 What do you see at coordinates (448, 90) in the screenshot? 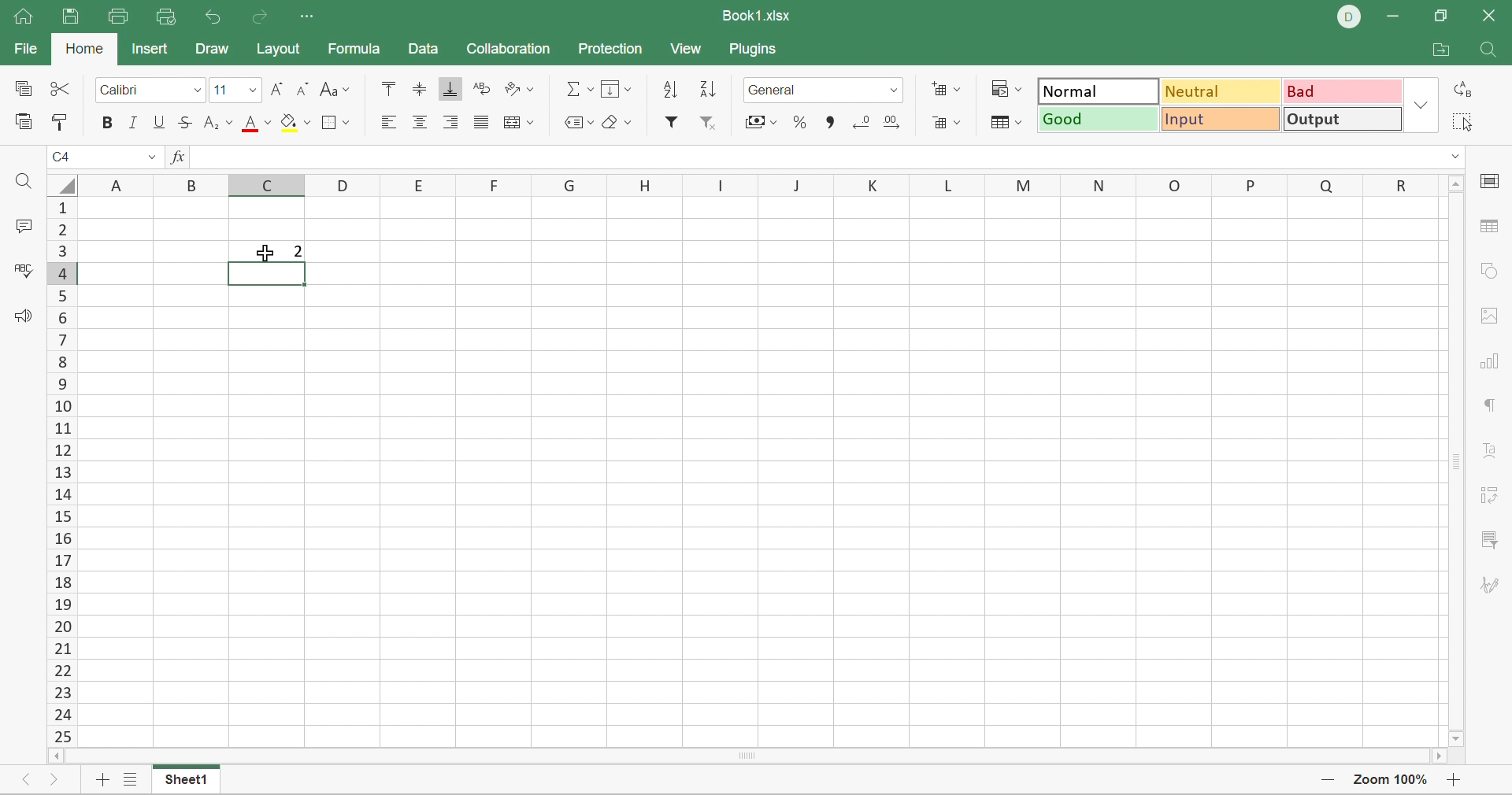
I see `Align Bottom` at bounding box center [448, 90].